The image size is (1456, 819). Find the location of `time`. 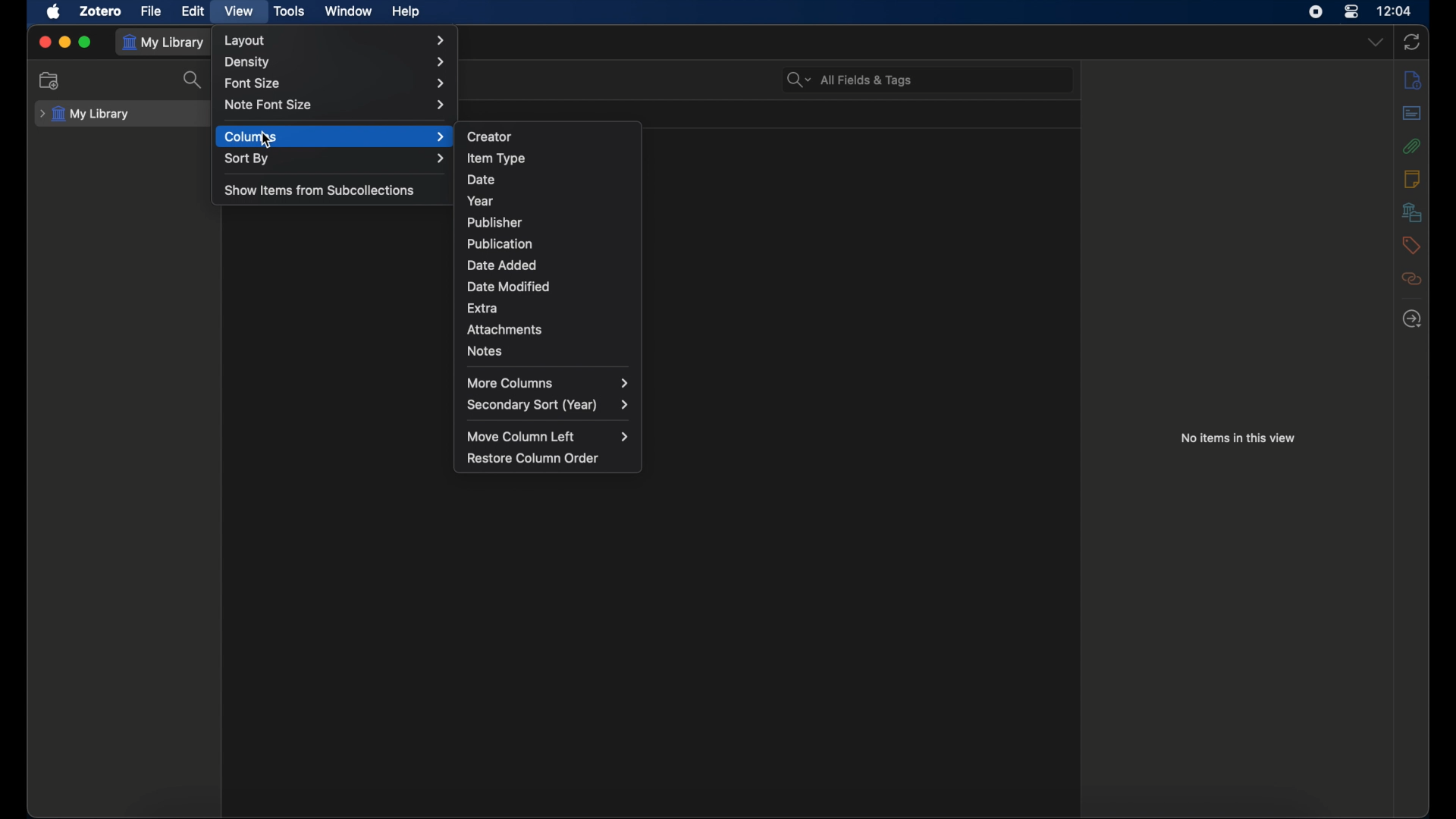

time is located at coordinates (1393, 11).